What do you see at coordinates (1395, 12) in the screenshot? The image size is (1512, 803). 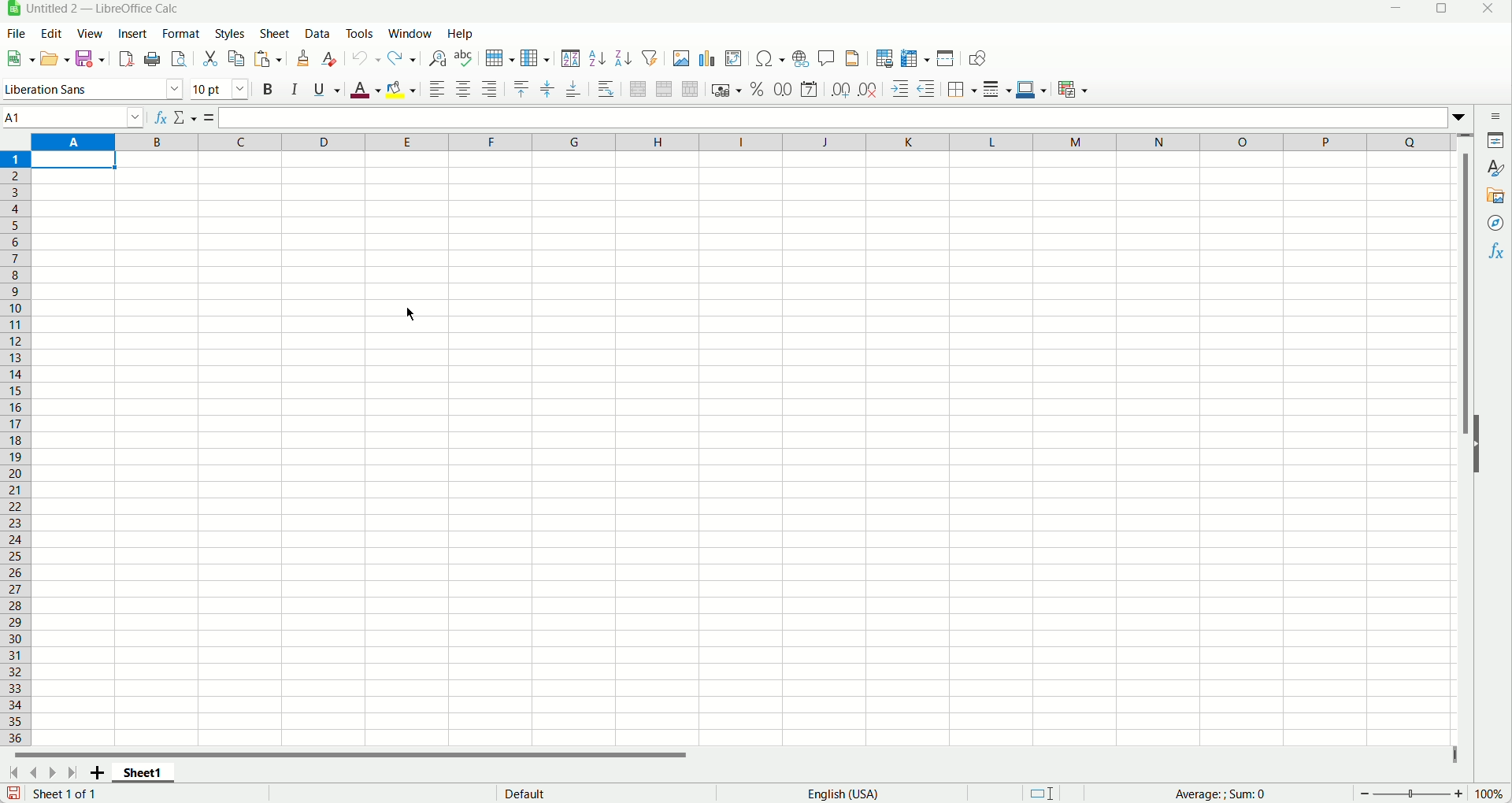 I see `Minimize` at bounding box center [1395, 12].